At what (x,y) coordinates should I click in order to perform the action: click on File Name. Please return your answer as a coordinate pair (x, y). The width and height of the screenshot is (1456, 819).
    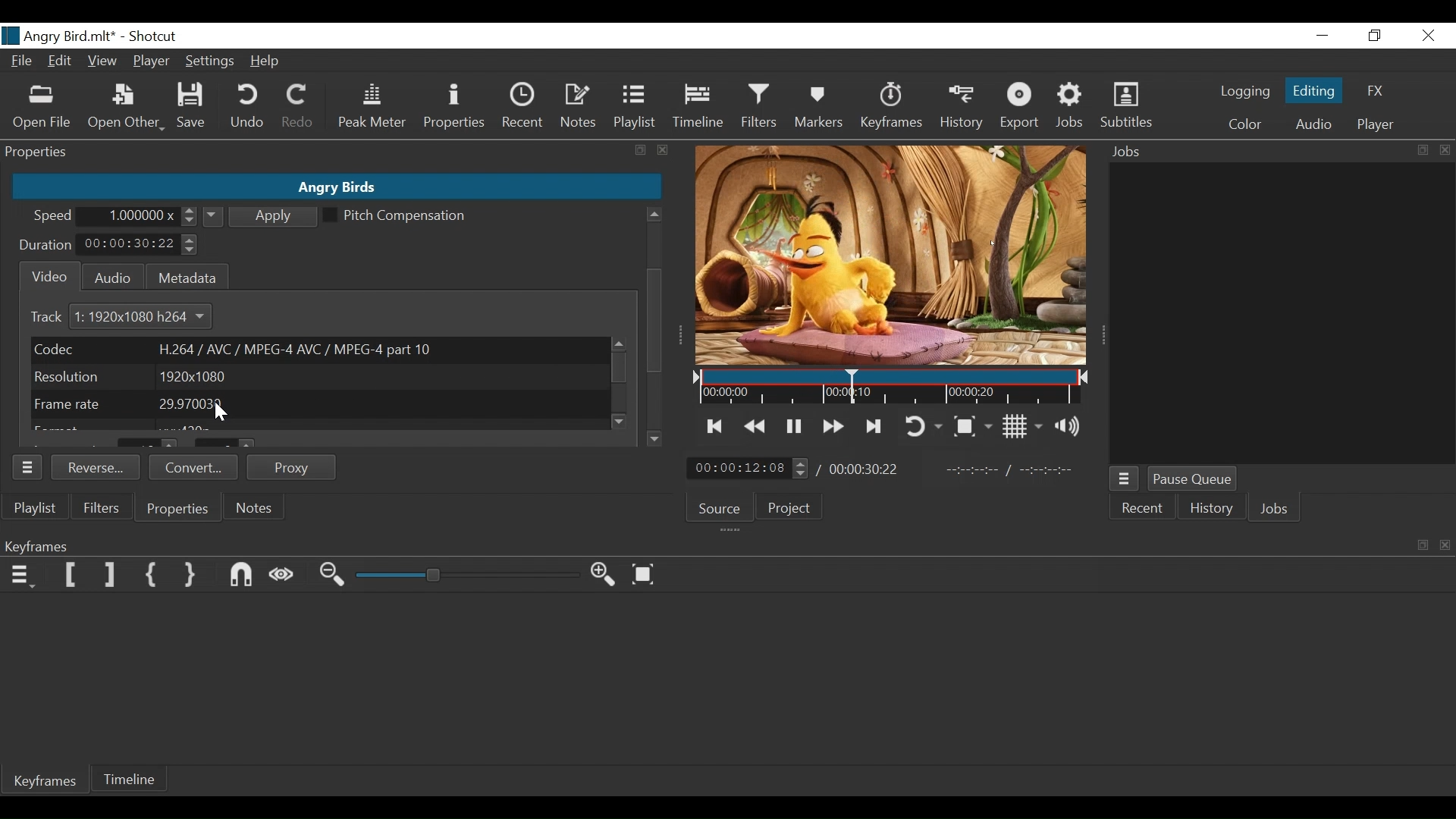
    Looking at the image, I should click on (59, 36).